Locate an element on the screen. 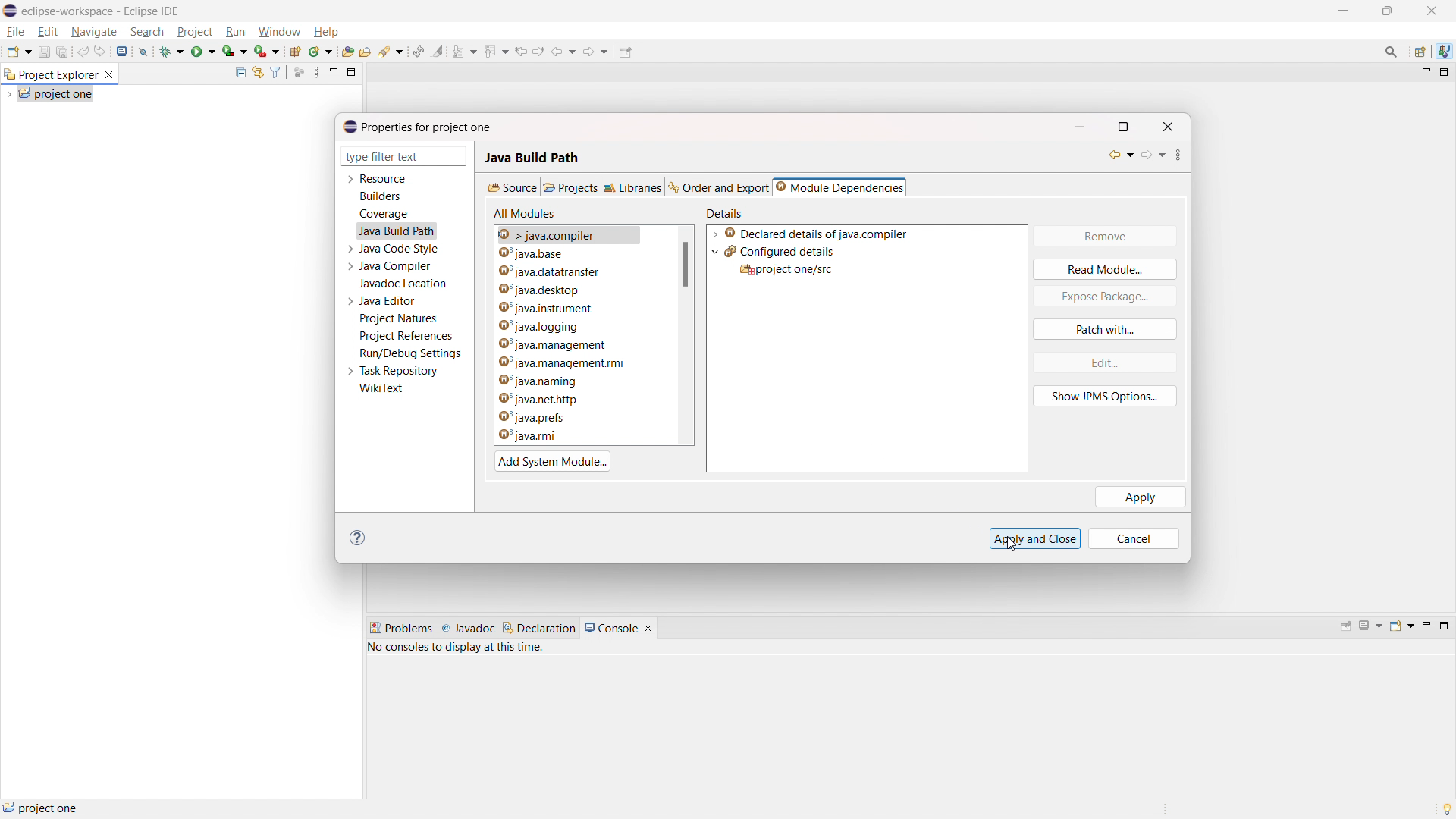  add system module is located at coordinates (553, 461).